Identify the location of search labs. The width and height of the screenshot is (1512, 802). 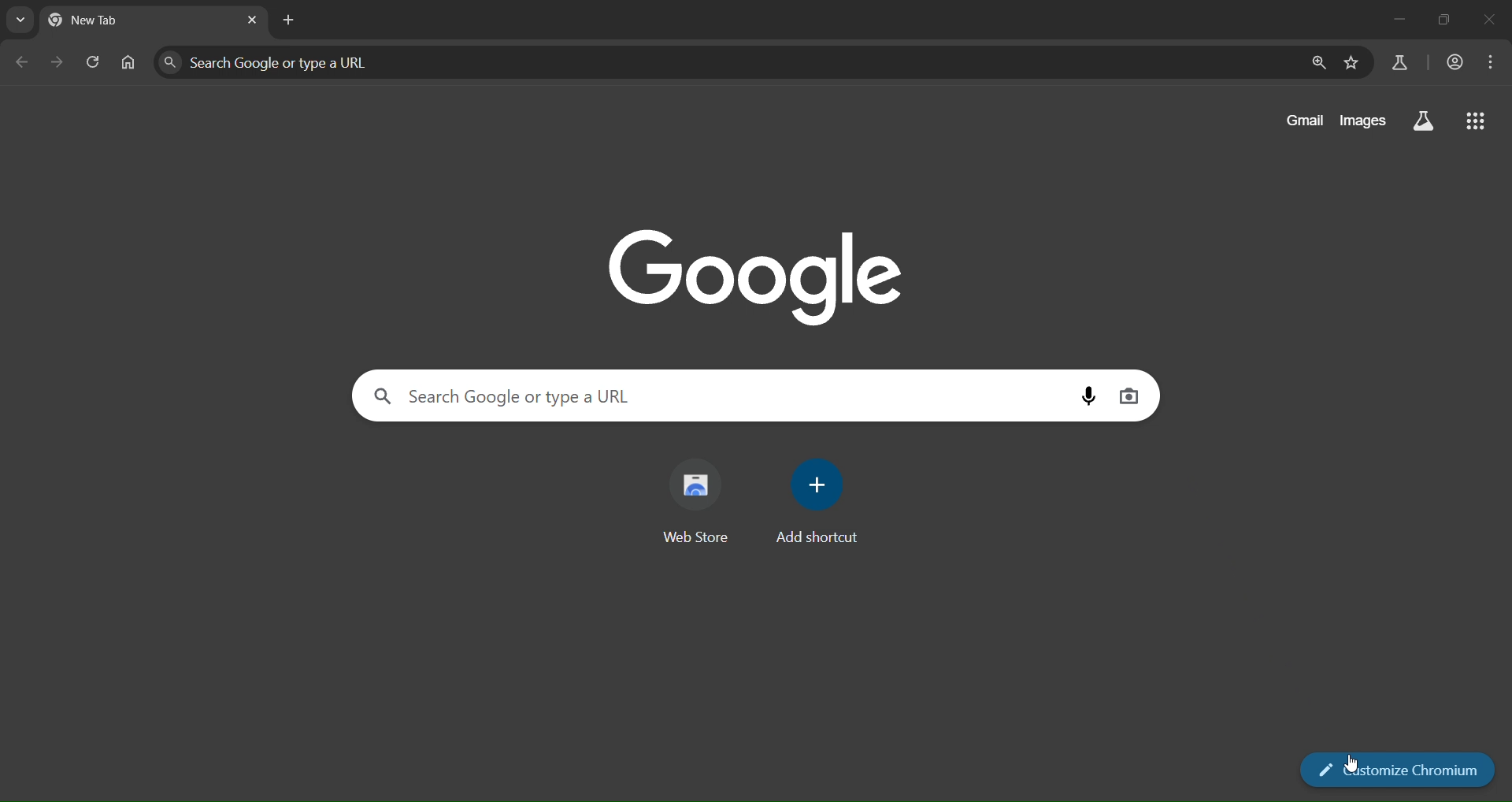
(1421, 123).